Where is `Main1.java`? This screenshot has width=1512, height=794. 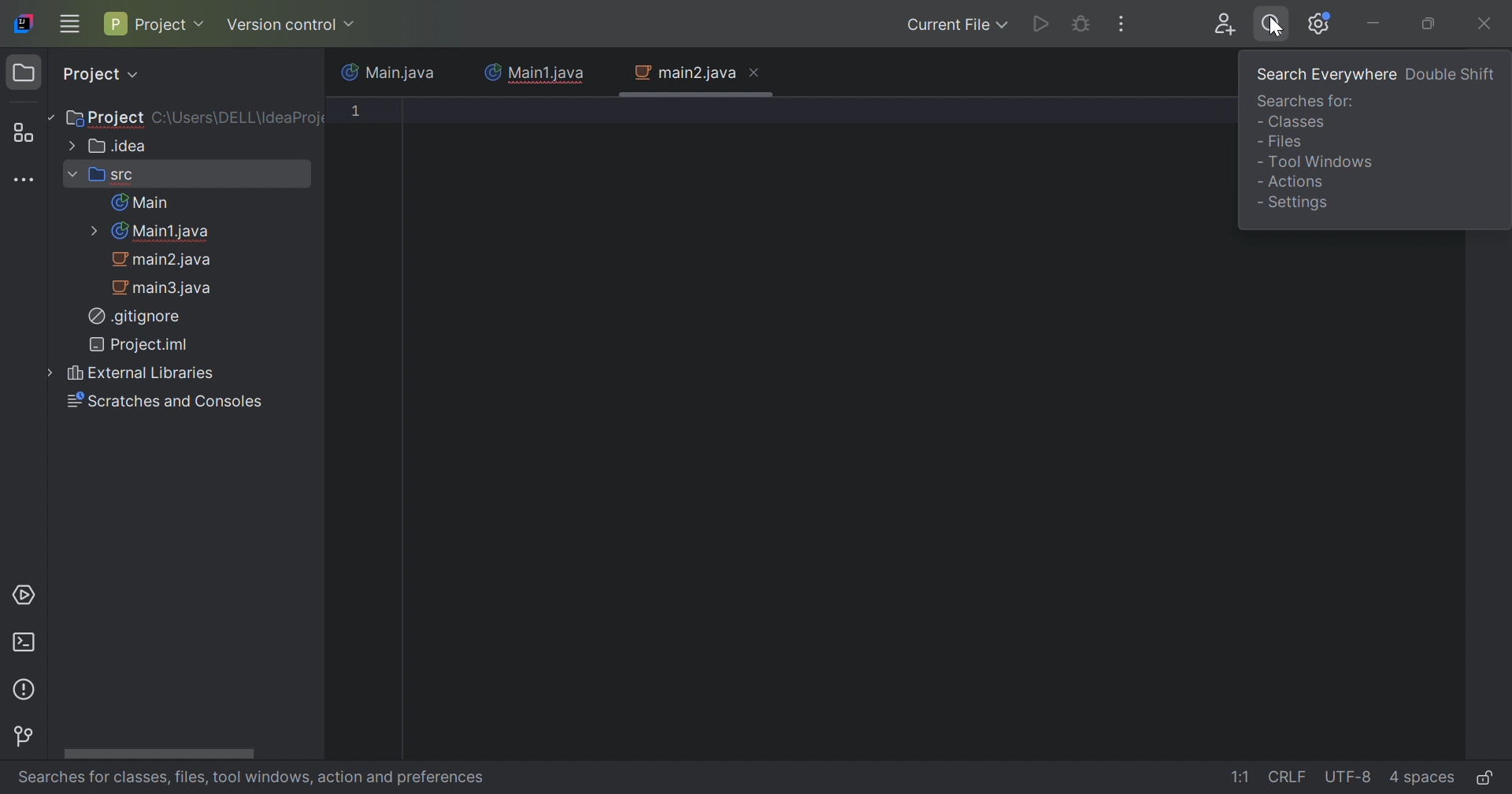 Main1.java is located at coordinates (535, 72).